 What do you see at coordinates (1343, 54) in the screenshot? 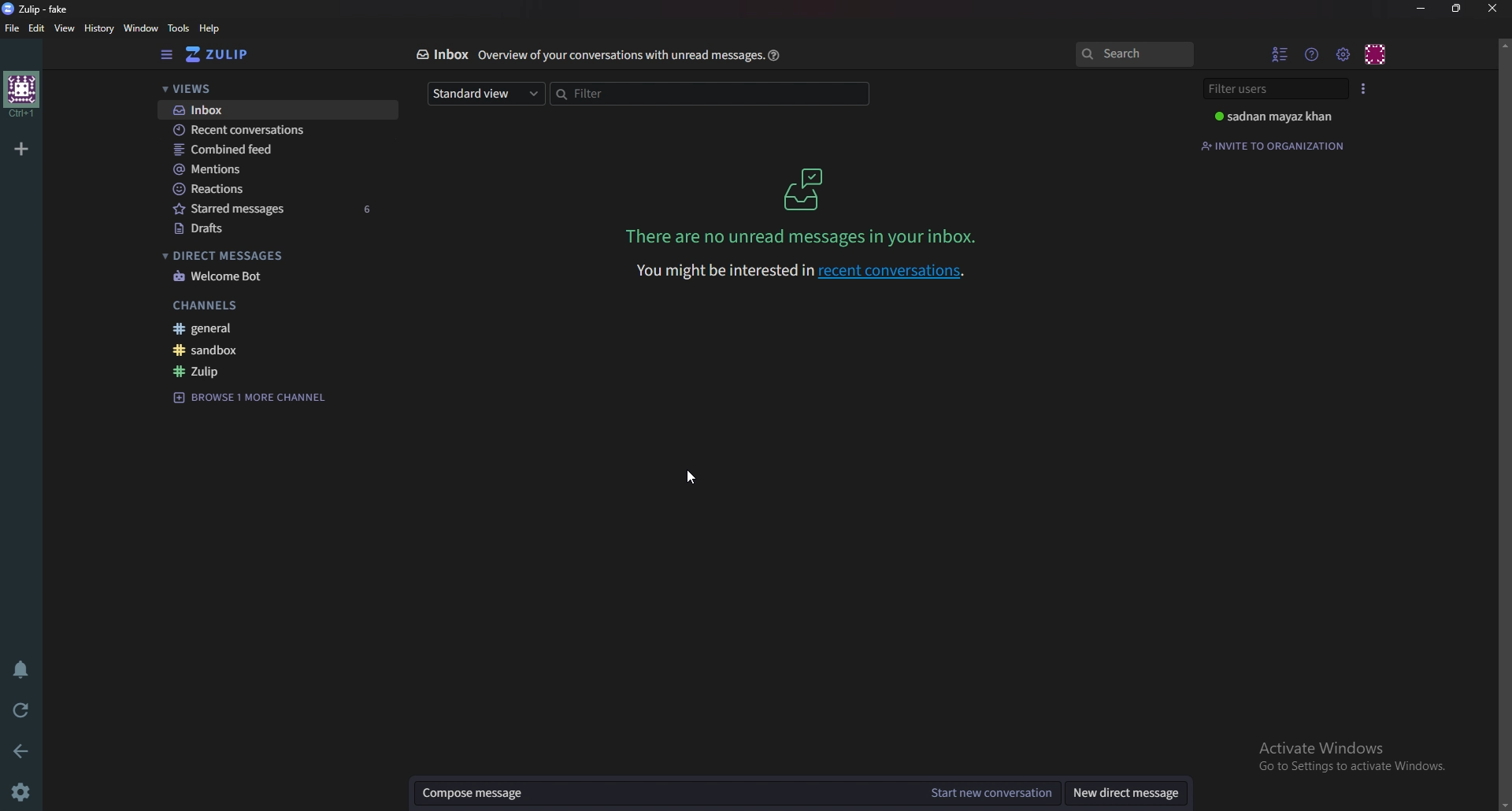
I see `Main menu` at bounding box center [1343, 54].